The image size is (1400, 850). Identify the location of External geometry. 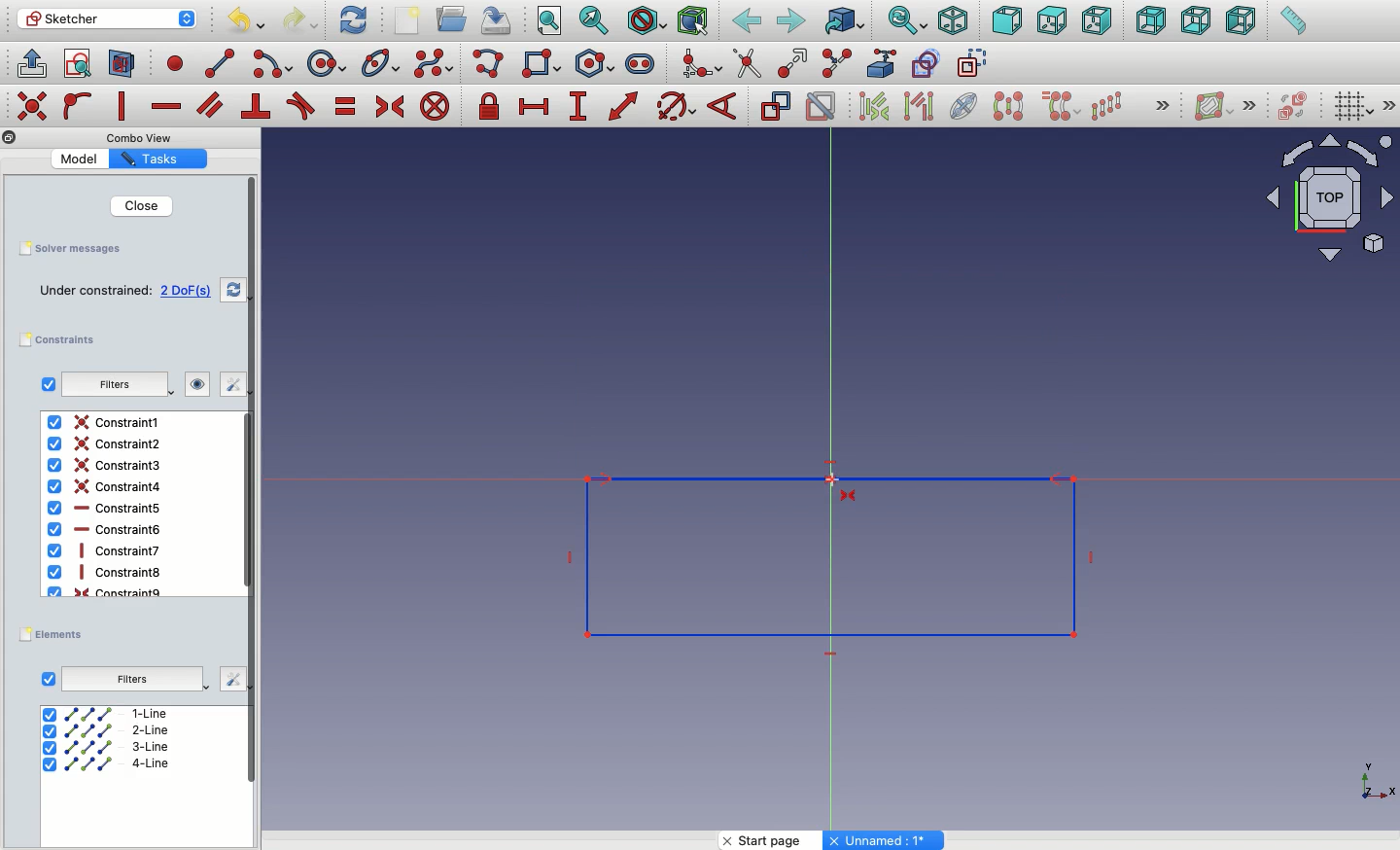
(880, 63).